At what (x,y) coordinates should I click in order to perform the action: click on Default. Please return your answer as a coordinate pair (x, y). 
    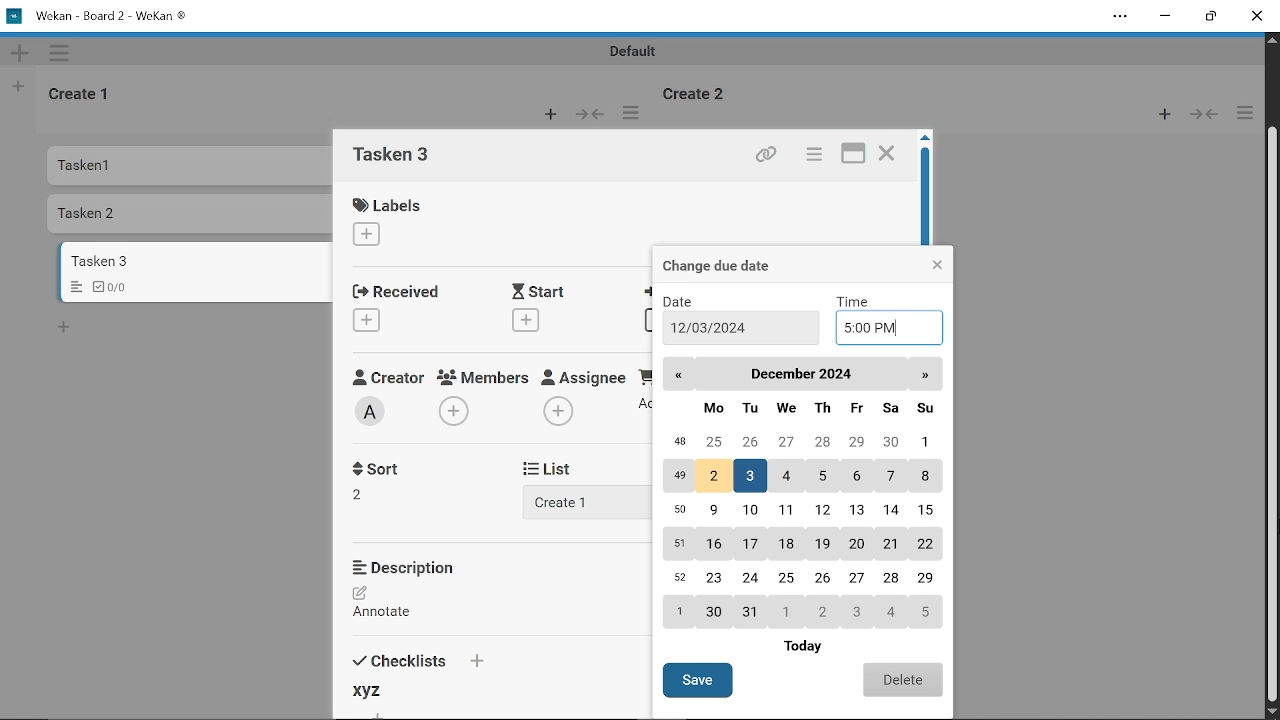
    Looking at the image, I should click on (636, 51).